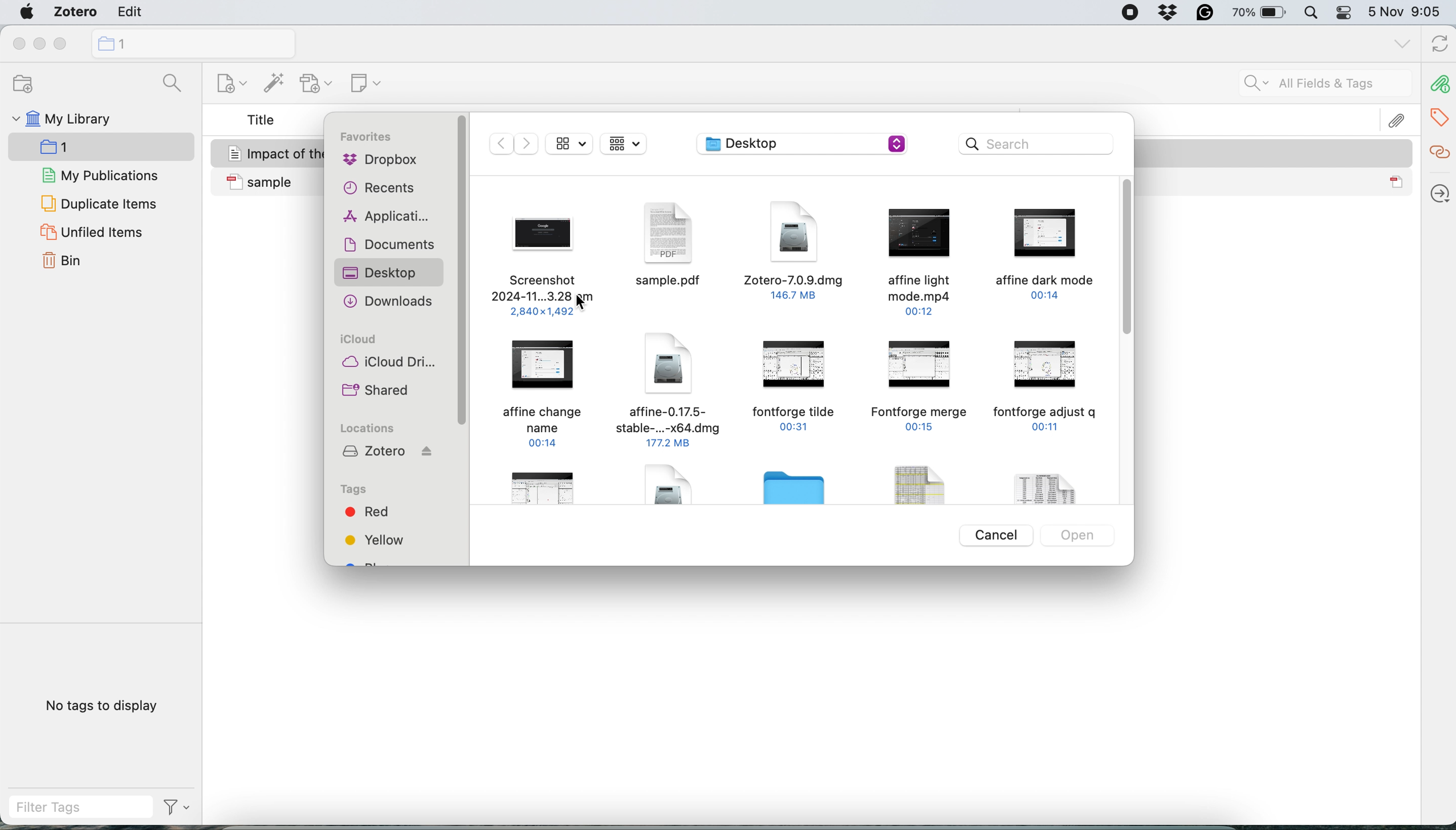  What do you see at coordinates (192, 43) in the screenshot?
I see `new collection` at bounding box center [192, 43].